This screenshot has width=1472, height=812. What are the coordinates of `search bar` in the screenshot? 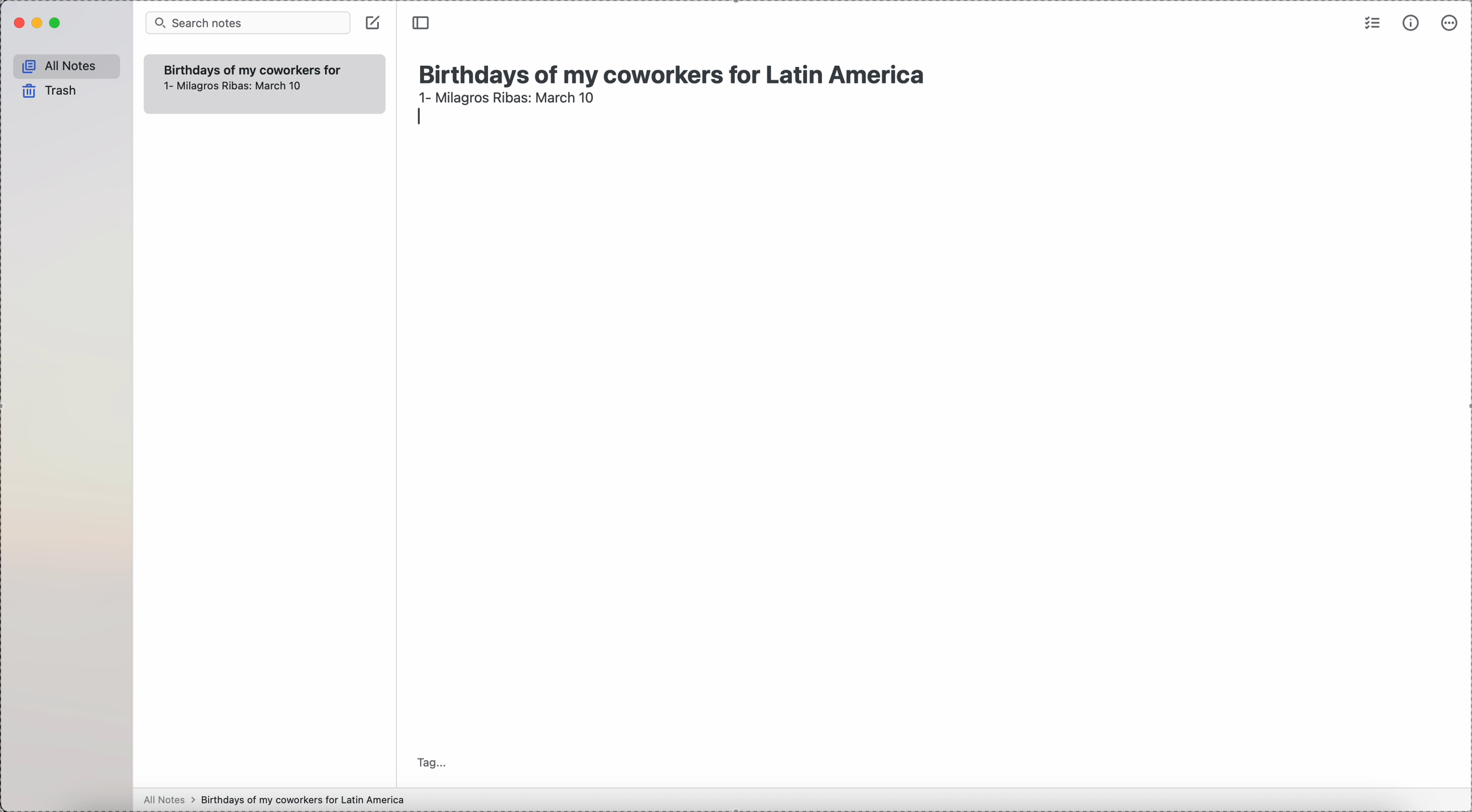 It's located at (247, 22).